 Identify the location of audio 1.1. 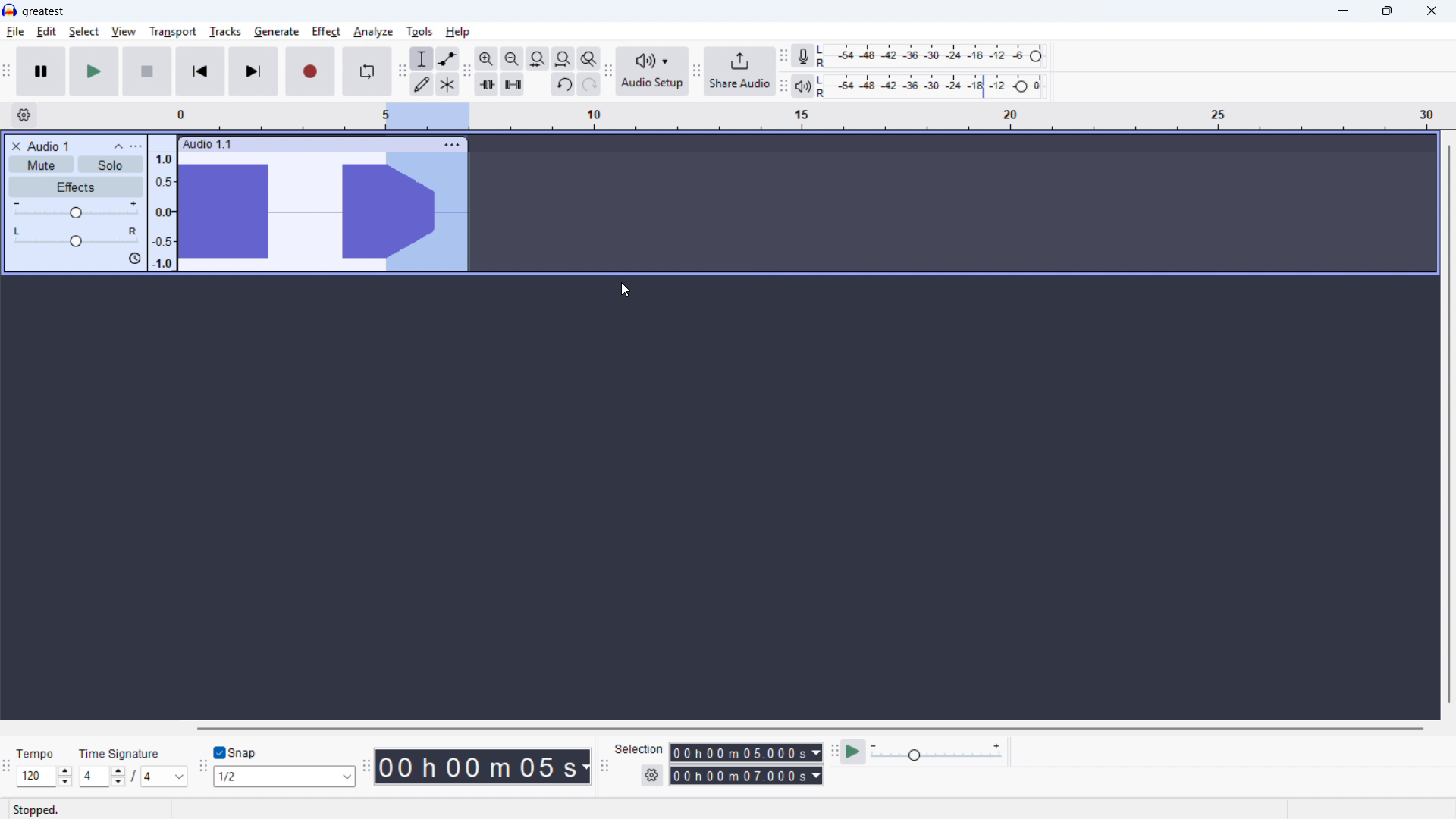
(207, 143).